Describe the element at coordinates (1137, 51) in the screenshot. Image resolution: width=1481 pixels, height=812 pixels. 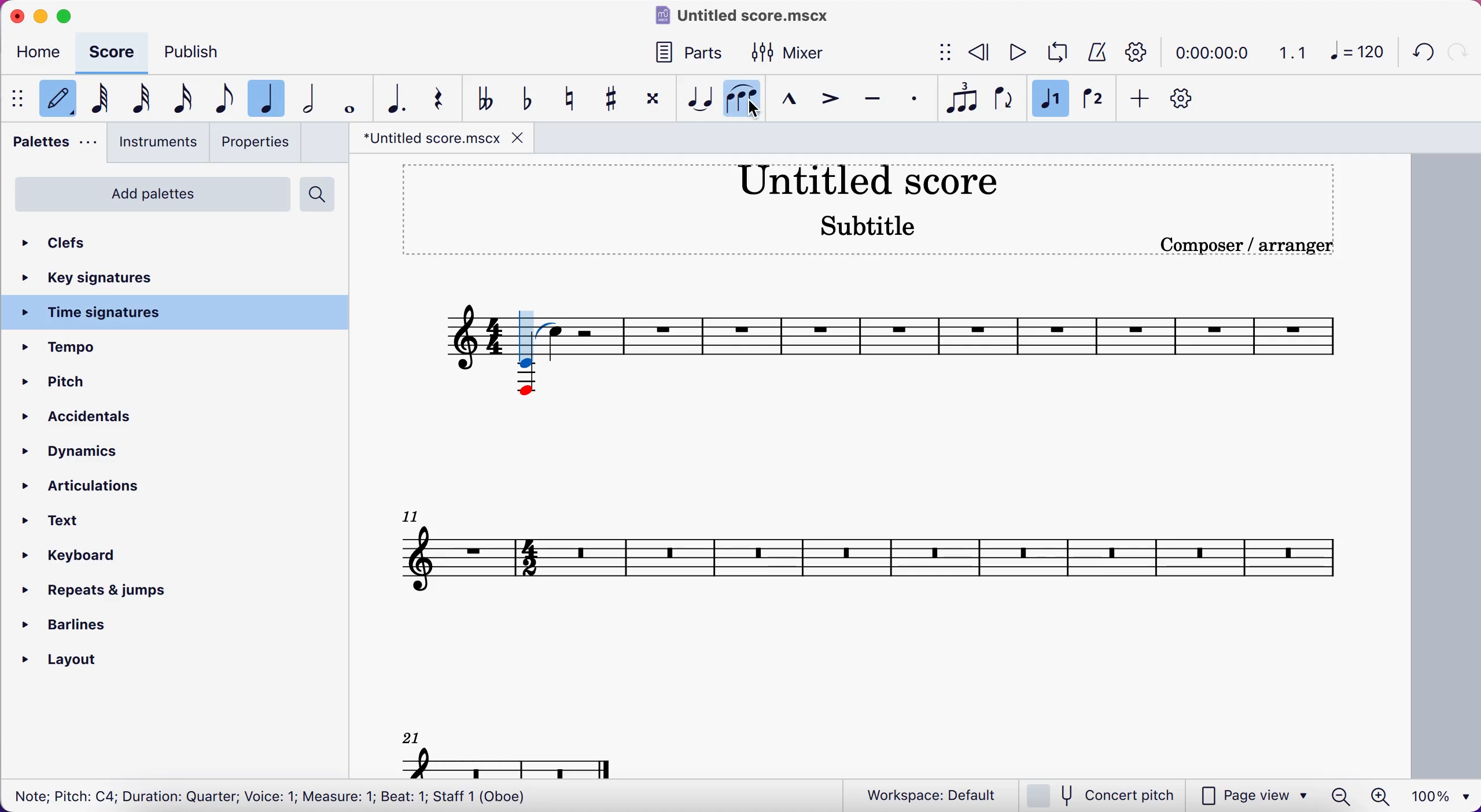
I see `playback settings` at that location.